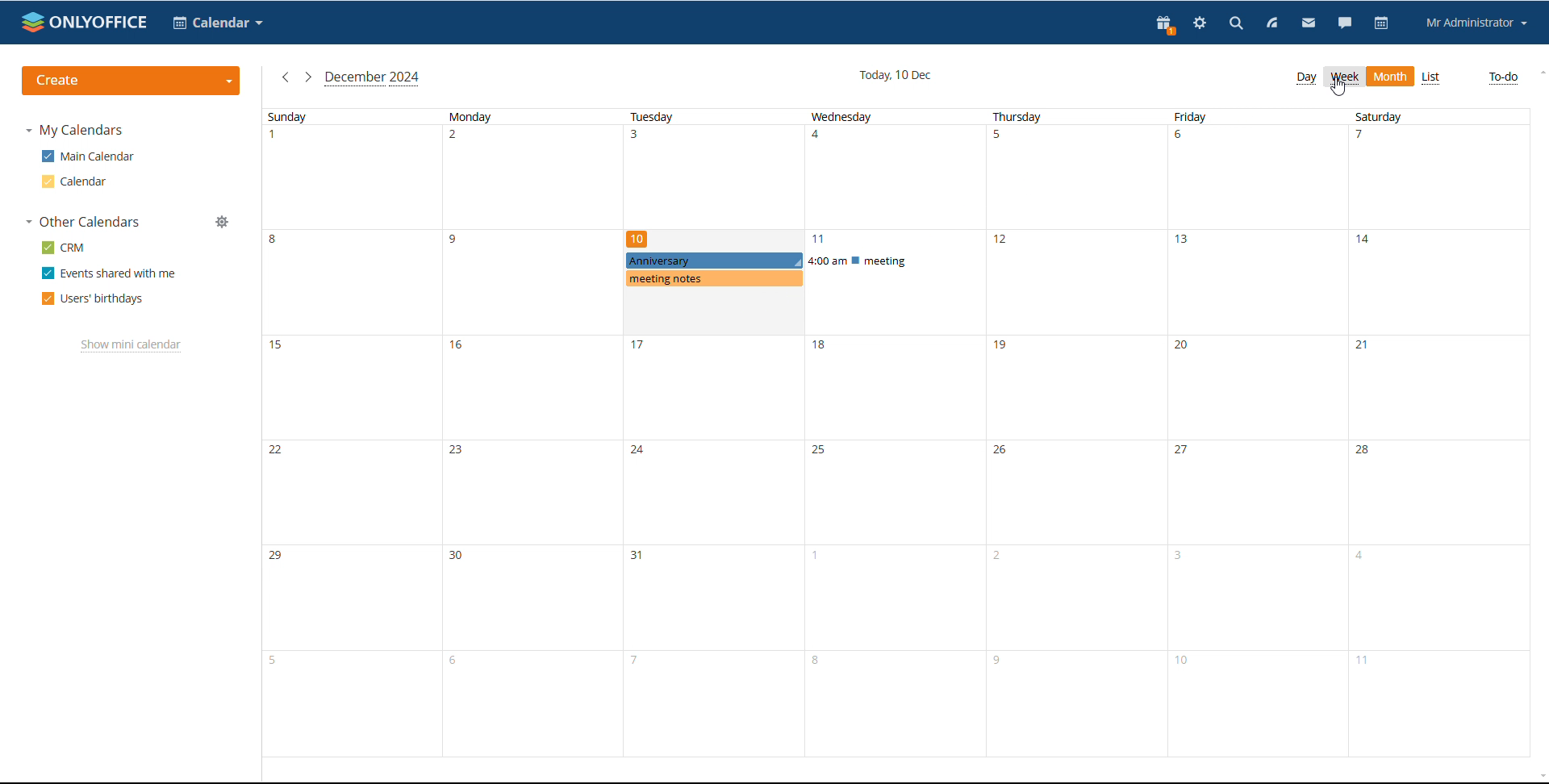 This screenshot has width=1549, height=784. What do you see at coordinates (1383, 23) in the screenshot?
I see `calendar` at bounding box center [1383, 23].